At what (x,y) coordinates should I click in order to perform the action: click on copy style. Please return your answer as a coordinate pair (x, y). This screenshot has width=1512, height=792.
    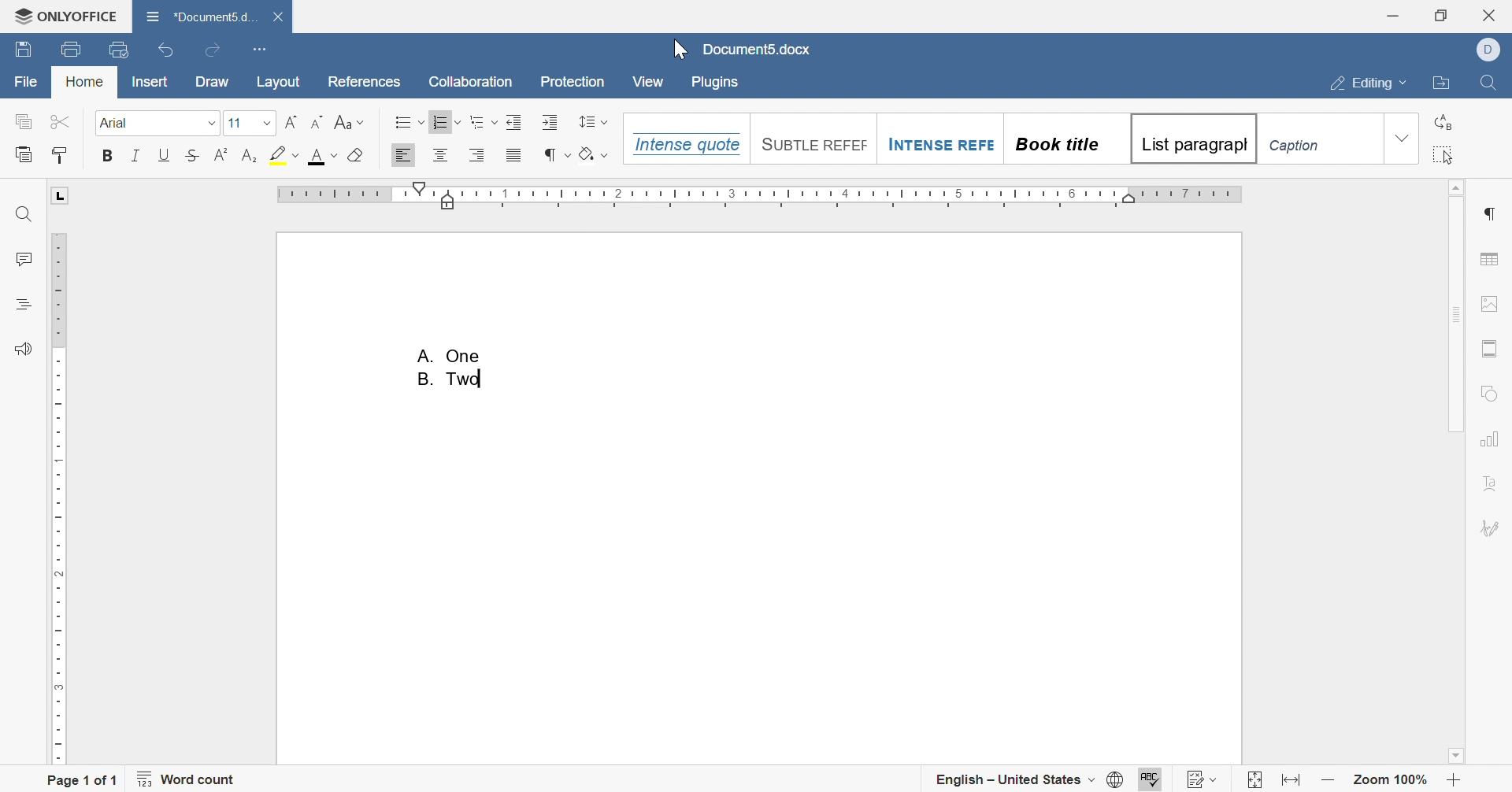
    Looking at the image, I should click on (61, 154).